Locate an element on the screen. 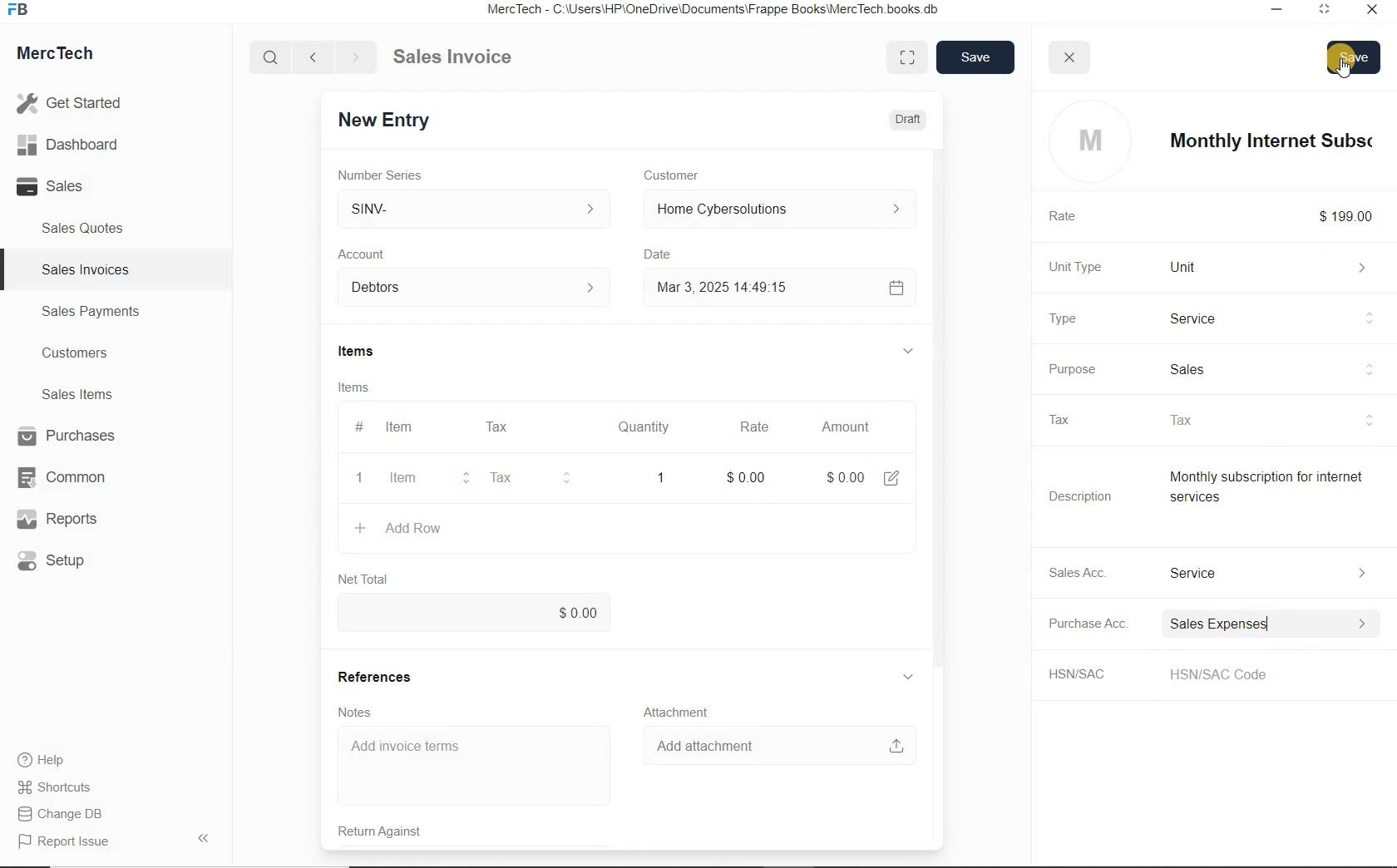  profile logo is located at coordinates (1086, 141).